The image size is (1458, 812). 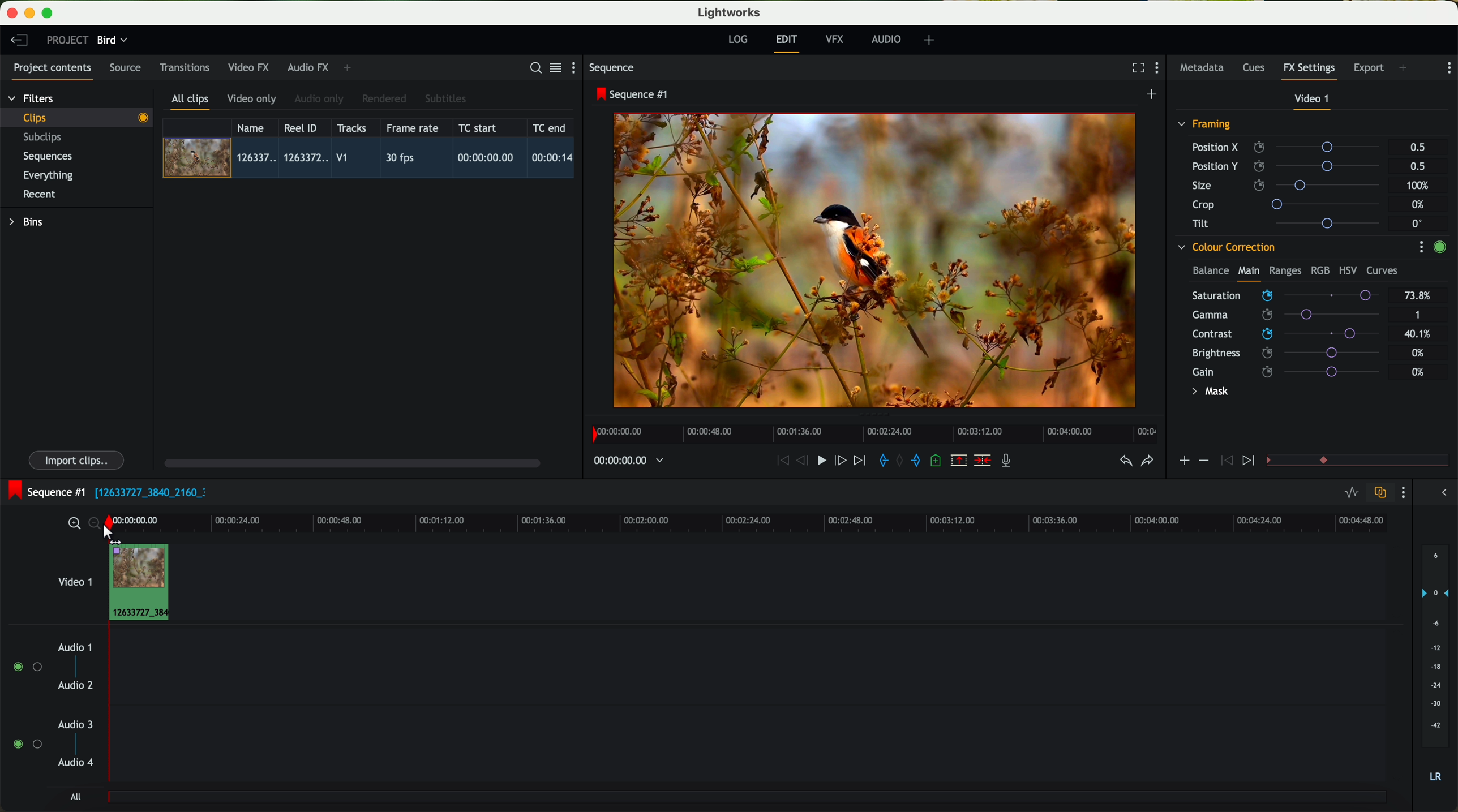 What do you see at coordinates (72, 524) in the screenshot?
I see `zoom in` at bounding box center [72, 524].